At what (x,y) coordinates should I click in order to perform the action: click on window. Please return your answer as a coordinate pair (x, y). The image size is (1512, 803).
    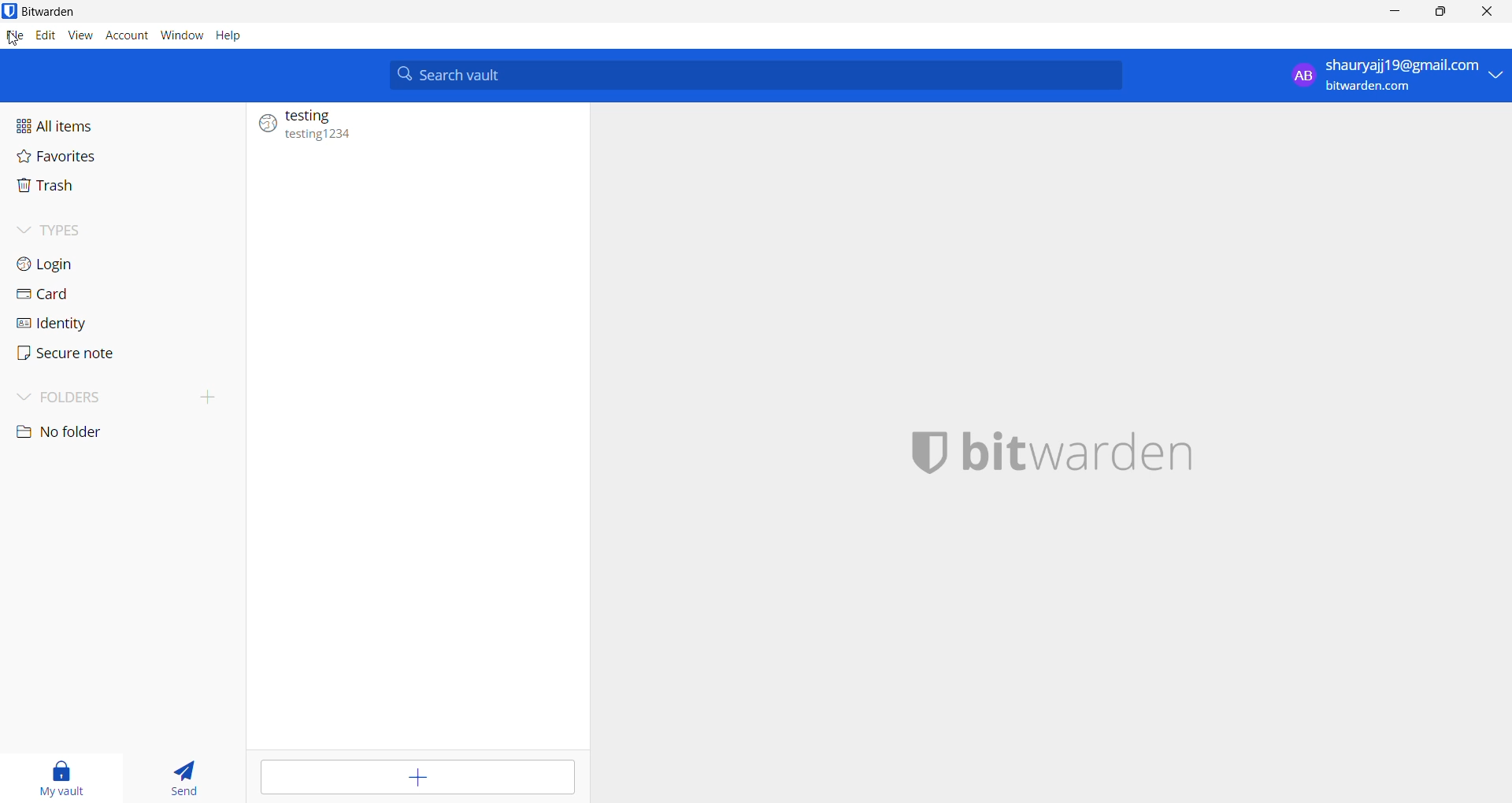
    Looking at the image, I should click on (179, 35).